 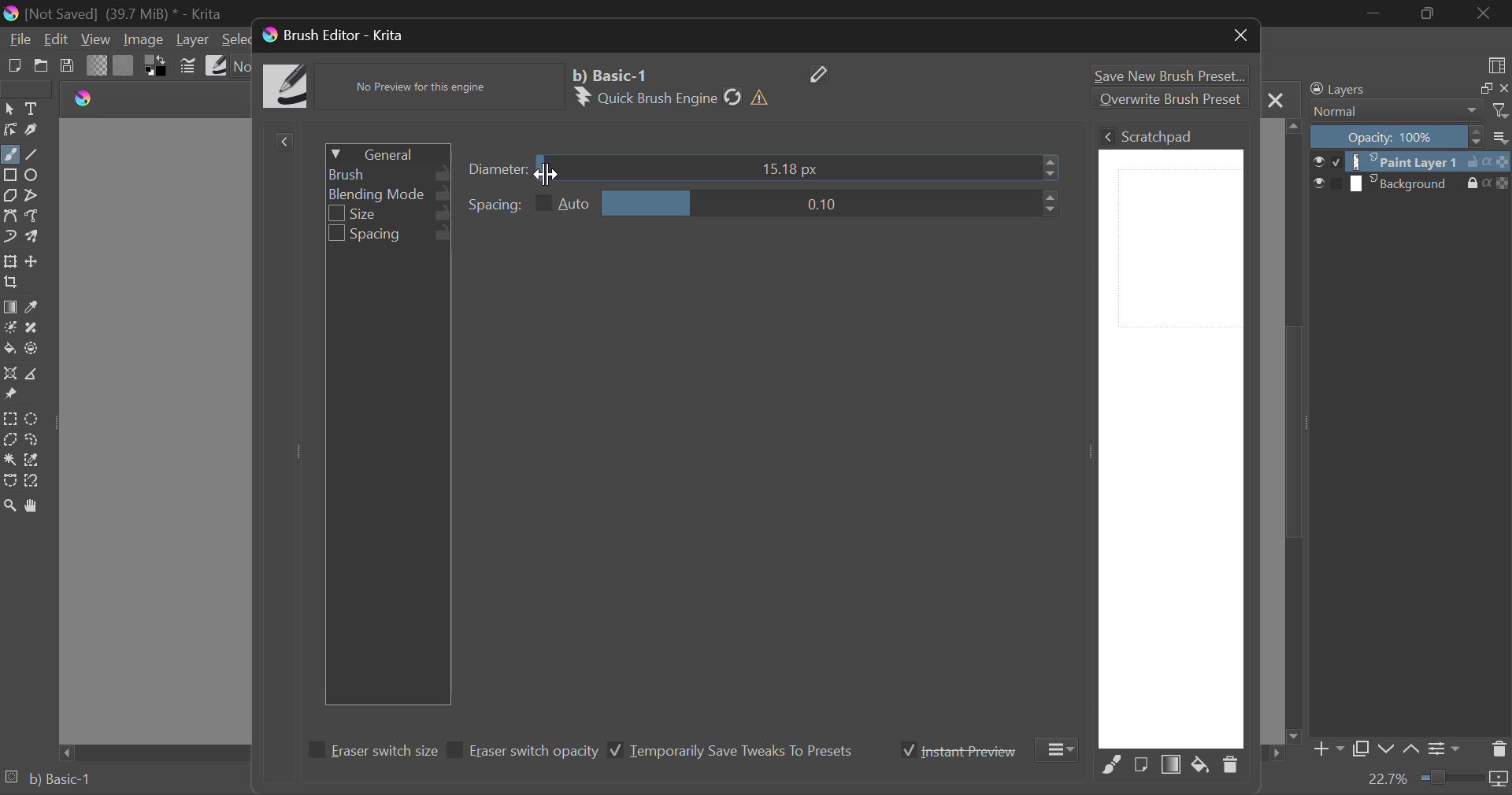 I want to click on Fill area with background color, so click(x=1199, y=766).